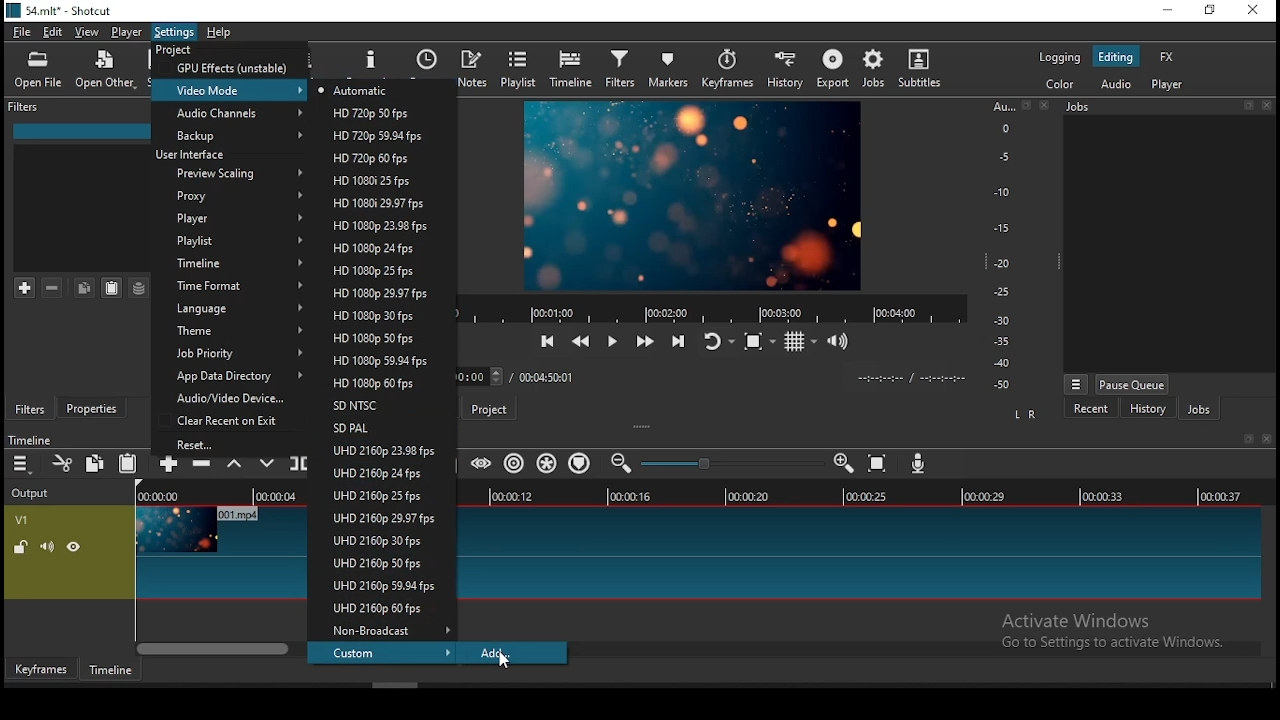 The width and height of the screenshot is (1280, 720). What do you see at coordinates (376, 181) in the screenshot?
I see `resolution option` at bounding box center [376, 181].